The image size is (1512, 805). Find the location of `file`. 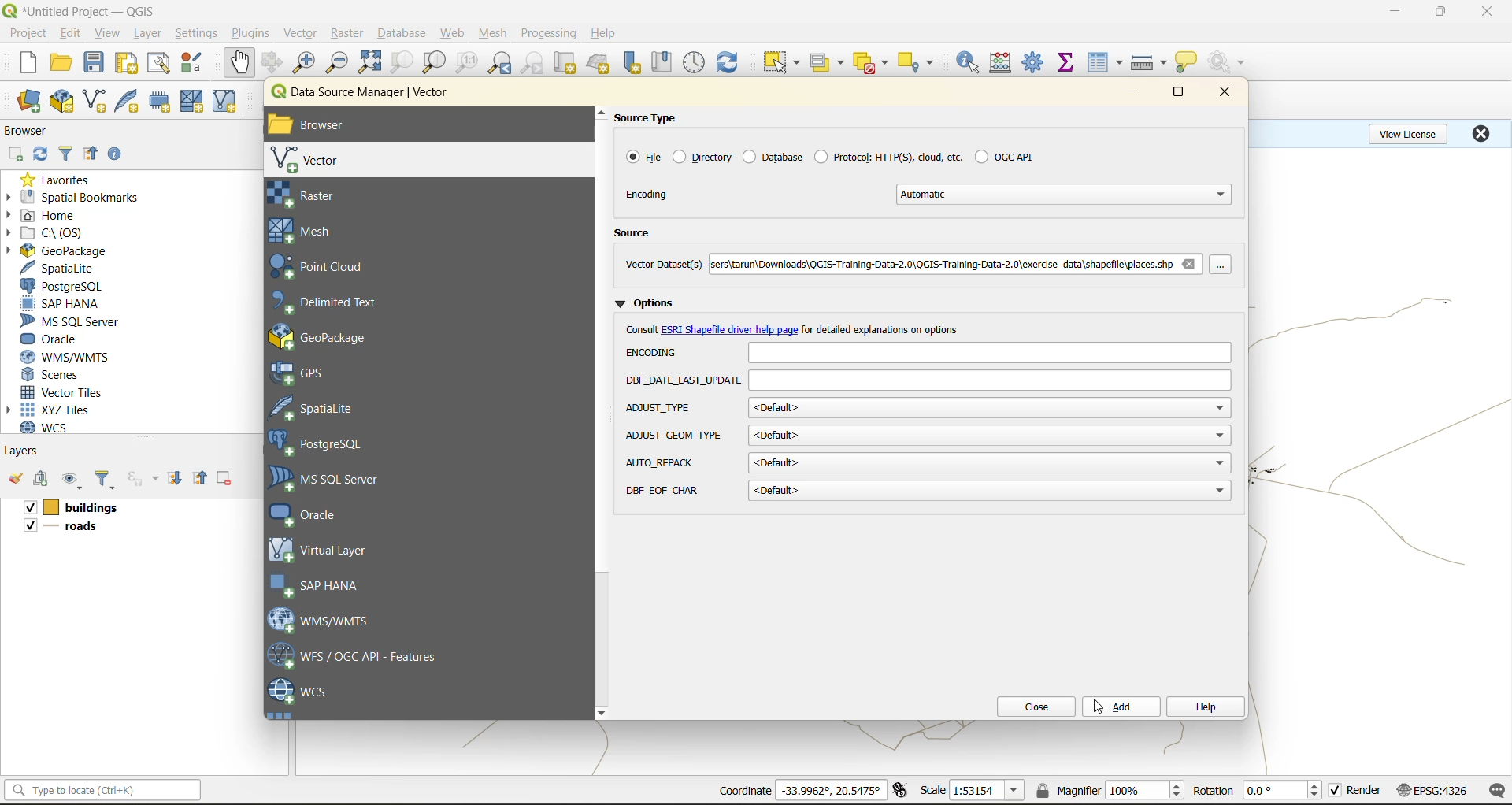

file is located at coordinates (642, 157).